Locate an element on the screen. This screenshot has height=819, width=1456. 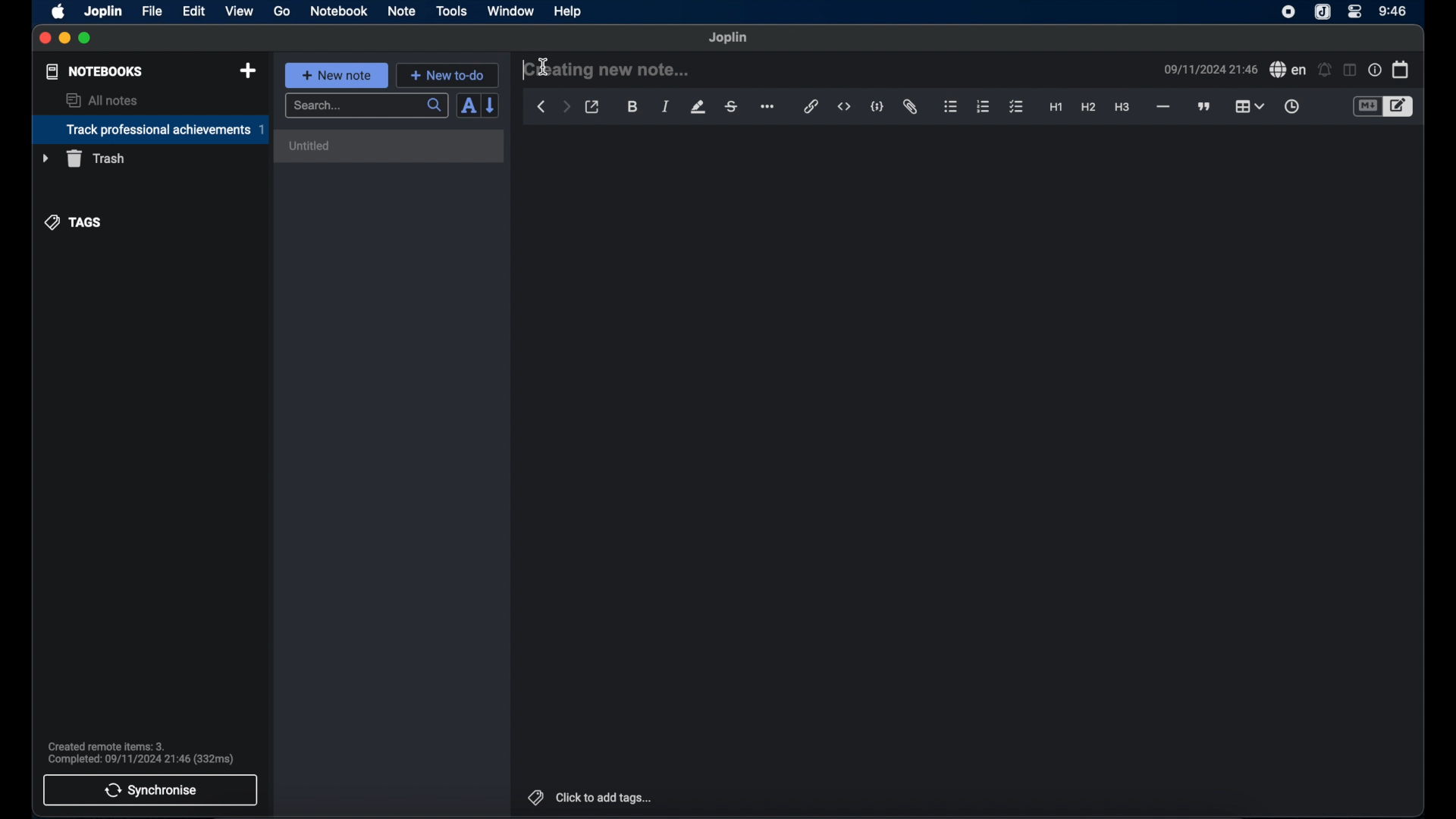
set alarm is located at coordinates (1324, 69).